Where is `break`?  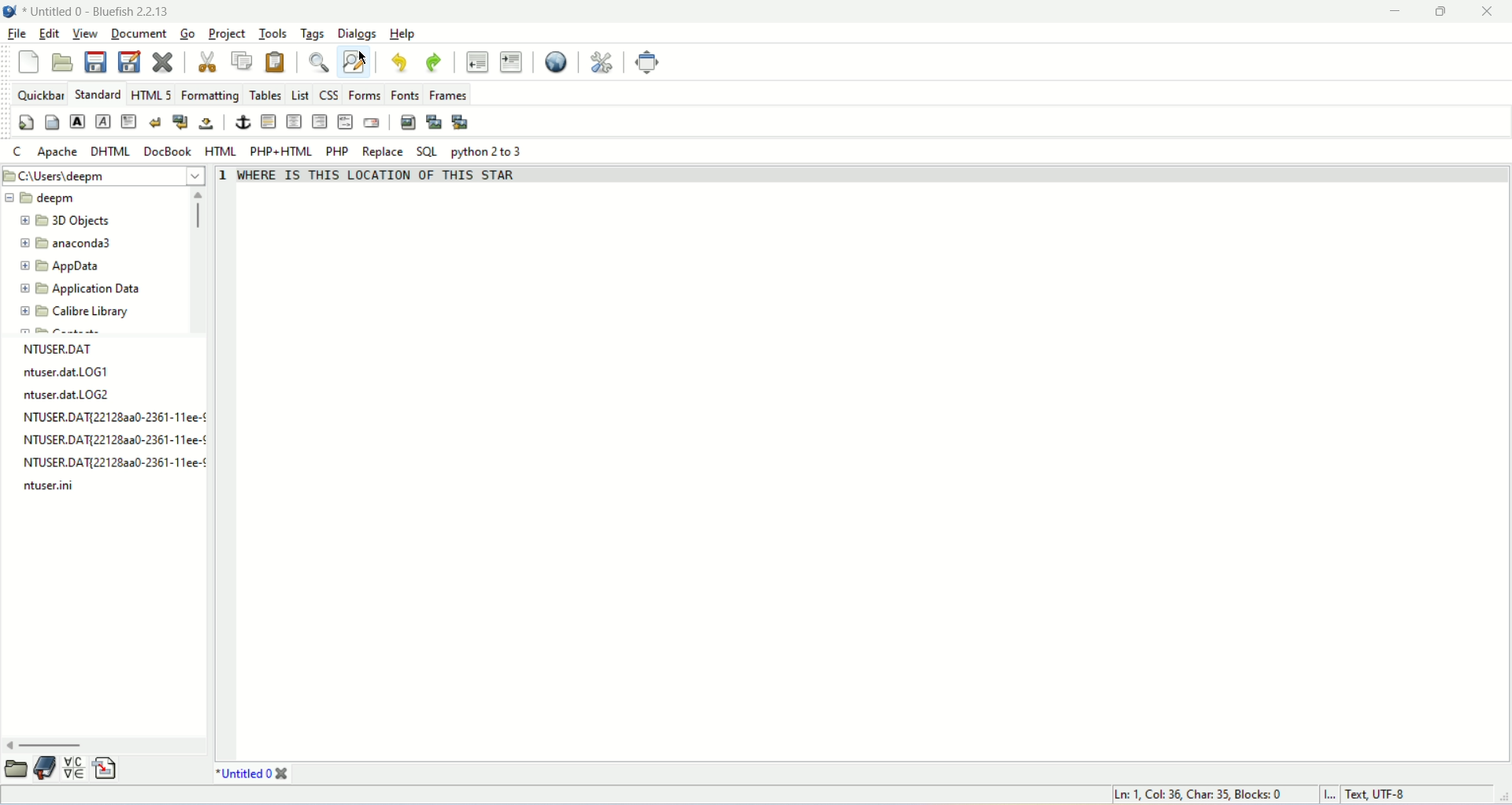
break is located at coordinates (156, 121).